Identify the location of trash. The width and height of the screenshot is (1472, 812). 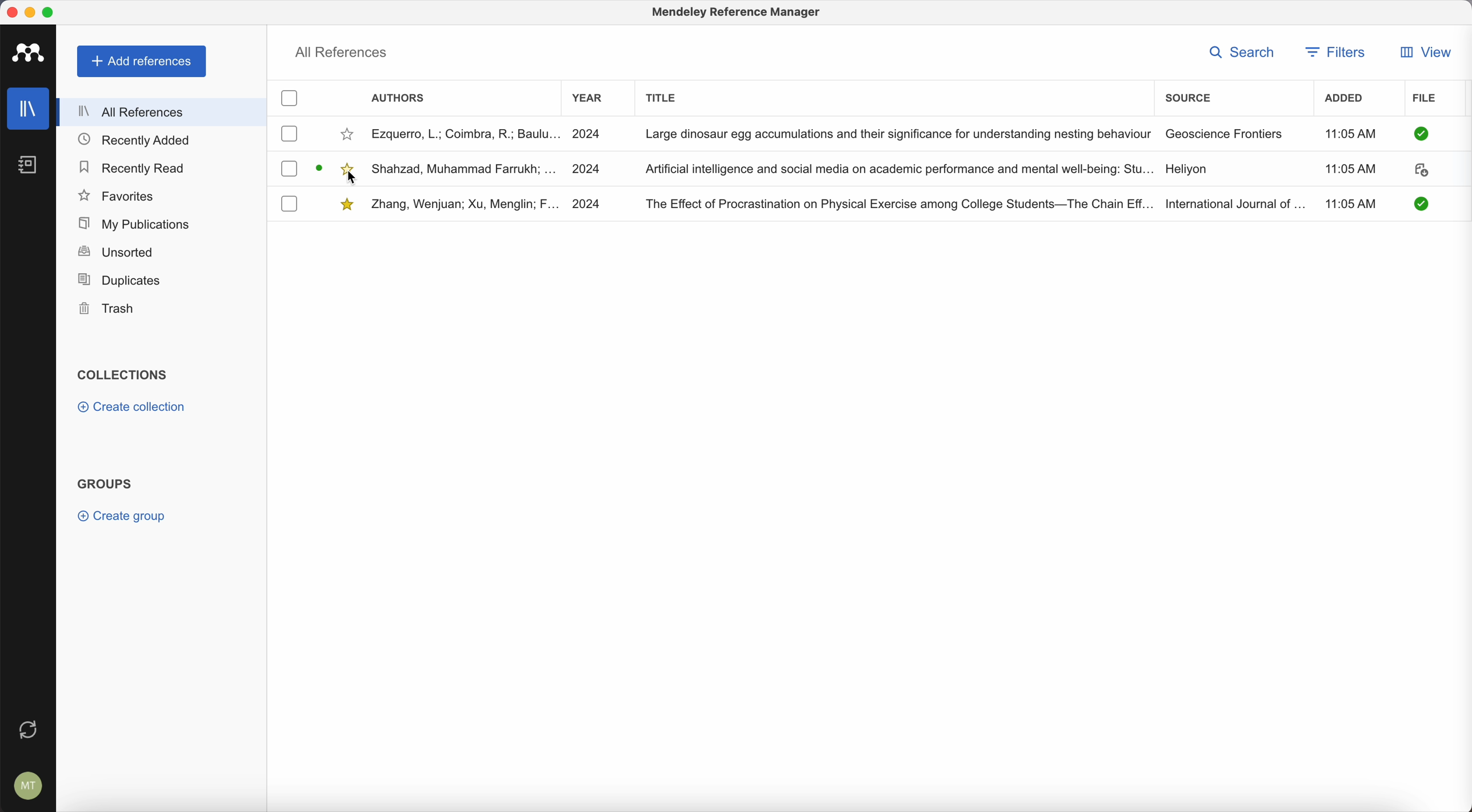
(108, 309).